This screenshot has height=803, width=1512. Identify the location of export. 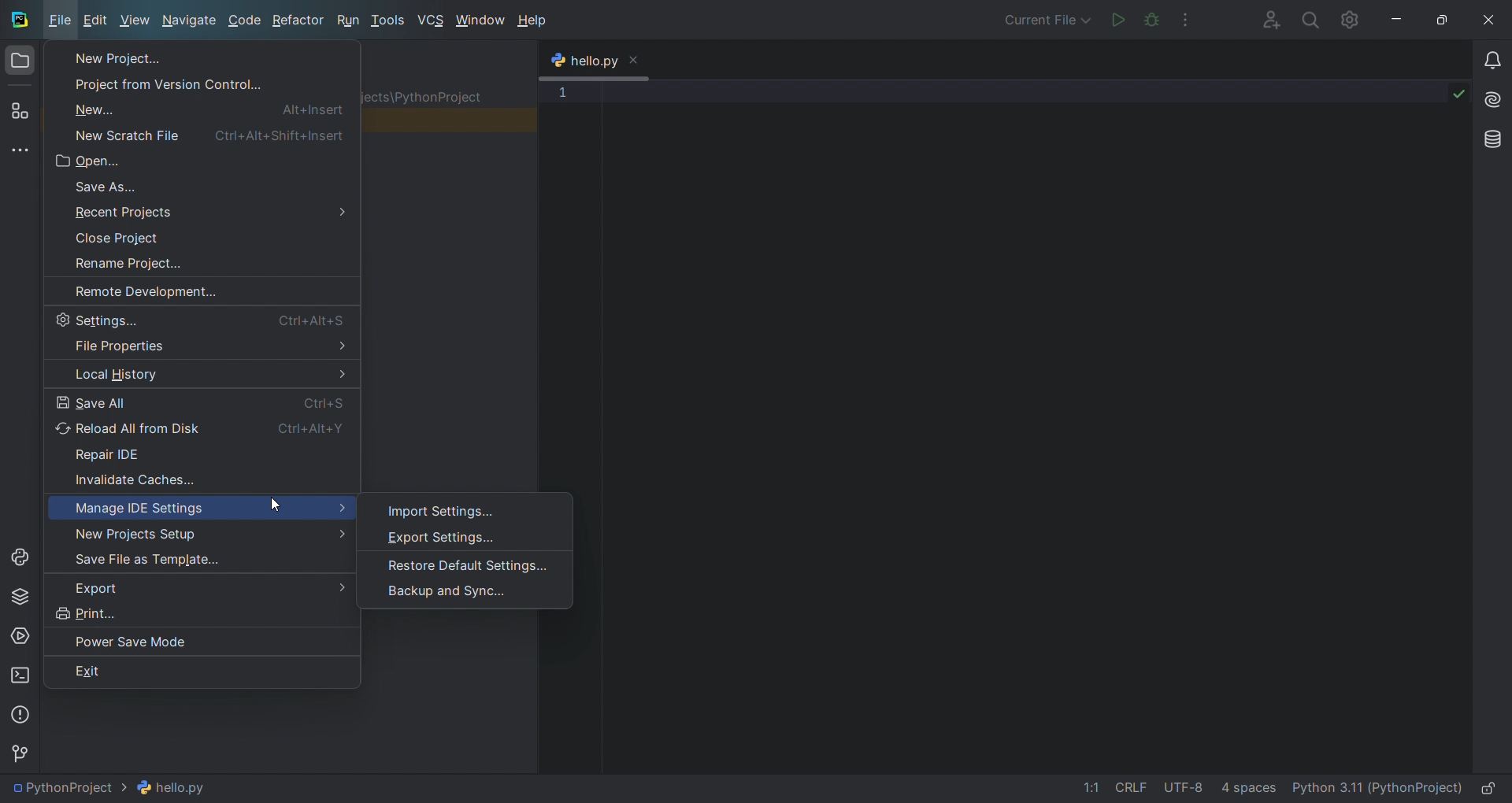
(197, 584).